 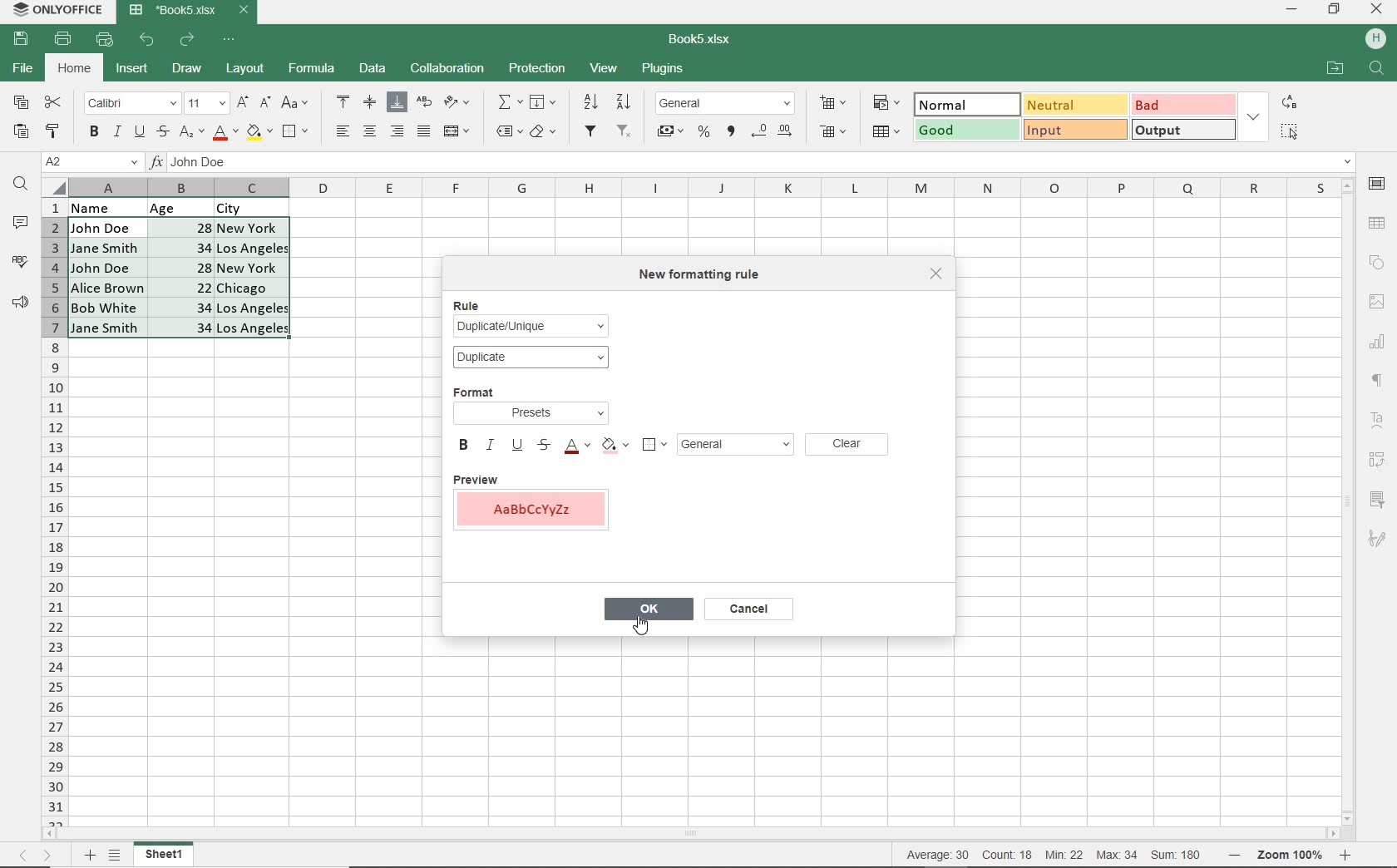 What do you see at coordinates (706, 40) in the screenshot?
I see `DOCUMENT NAME` at bounding box center [706, 40].